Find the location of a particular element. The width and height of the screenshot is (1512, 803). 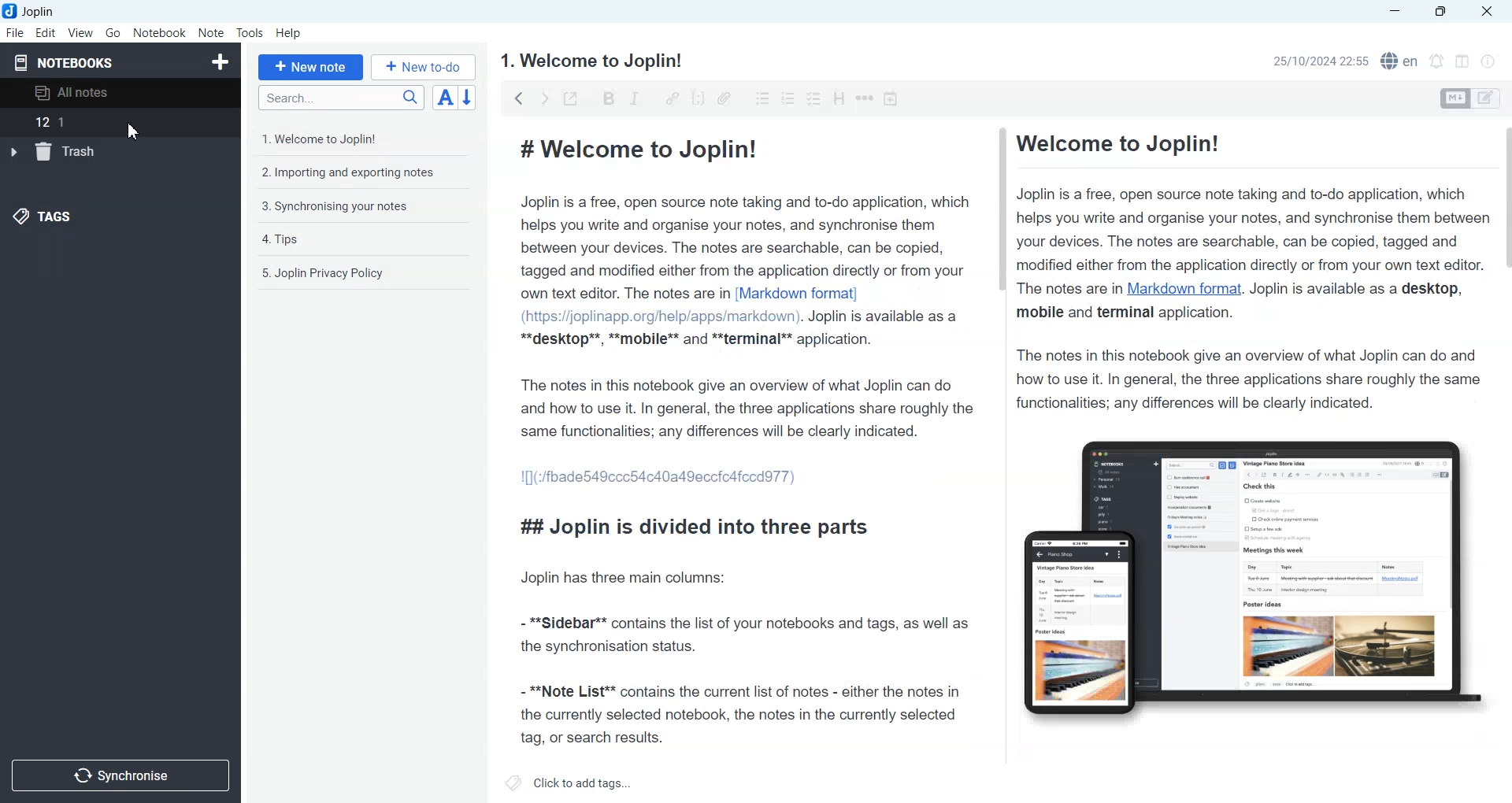

Bulleted list is located at coordinates (759, 98).